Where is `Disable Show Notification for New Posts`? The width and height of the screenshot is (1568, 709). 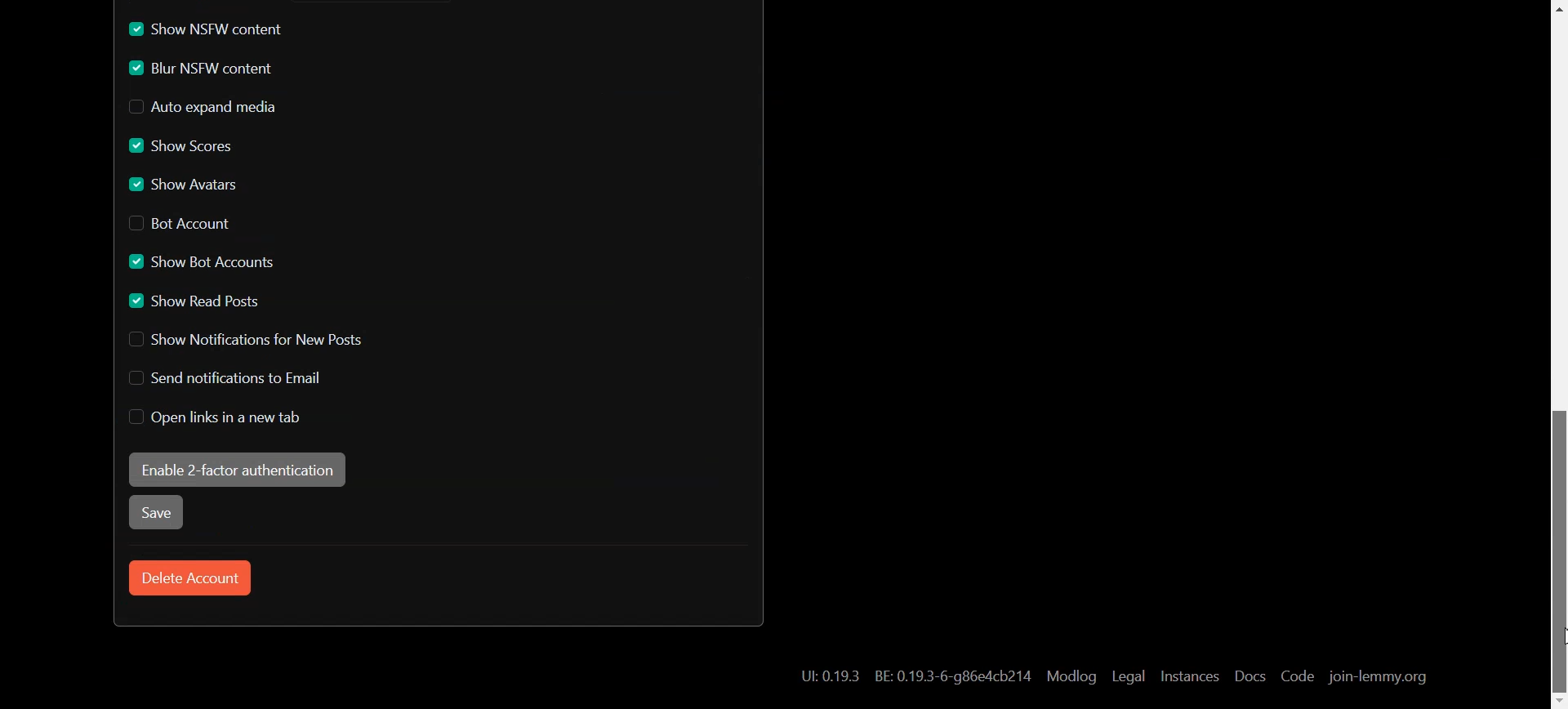
Disable Show Notification for New Posts is located at coordinates (247, 340).